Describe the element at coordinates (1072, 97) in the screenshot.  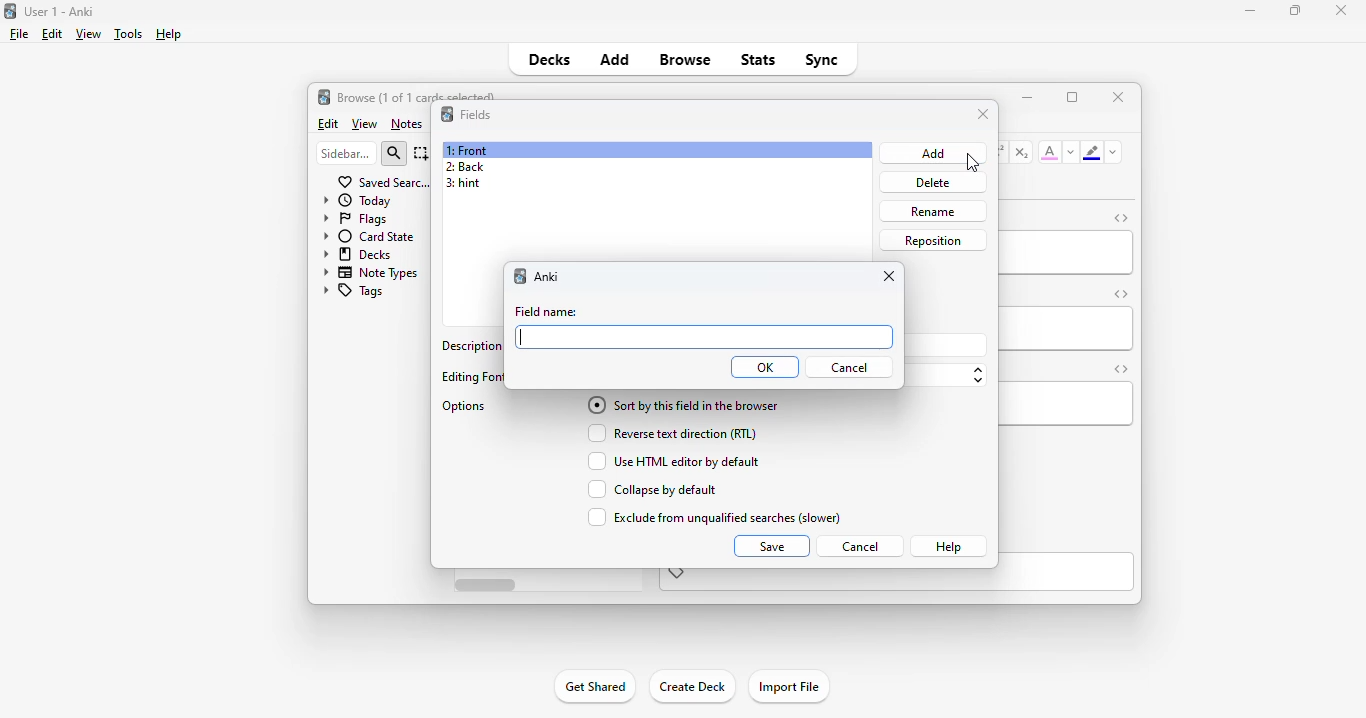
I see `maximize` at that location.